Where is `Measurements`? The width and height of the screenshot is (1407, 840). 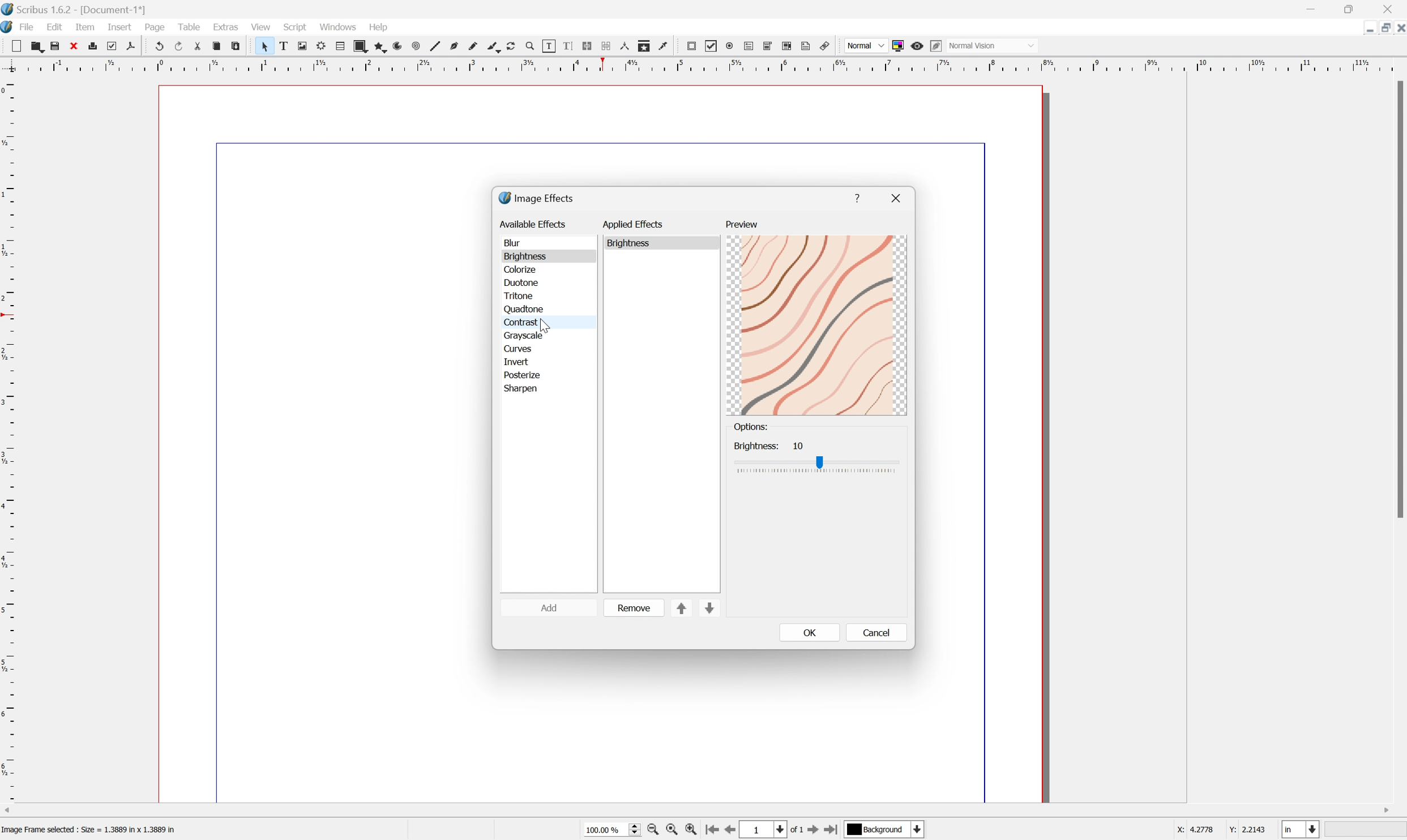 Measurements is located at coordinates (628, 46).